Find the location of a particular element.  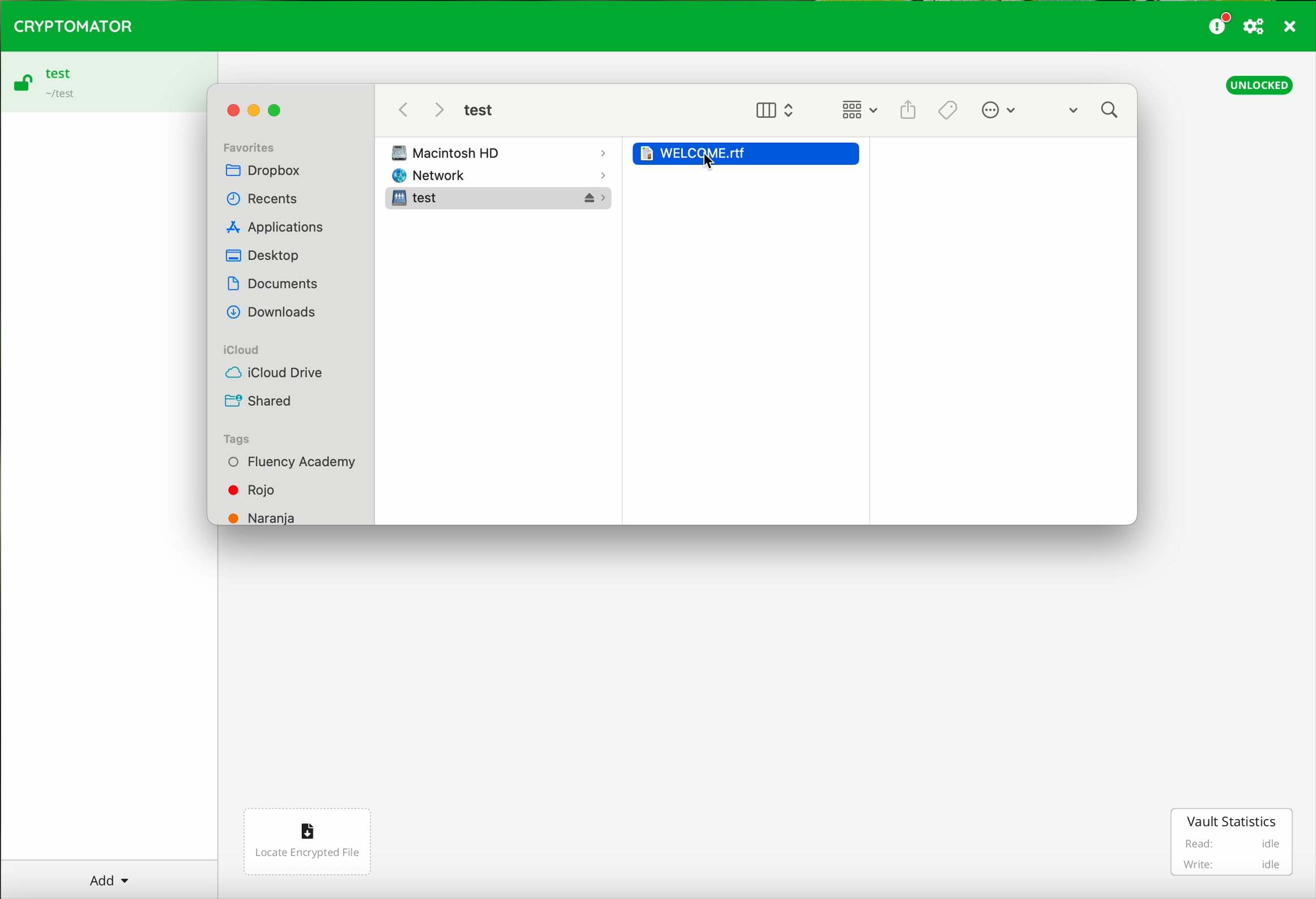

Rojo is located at coordinates (255, 489).